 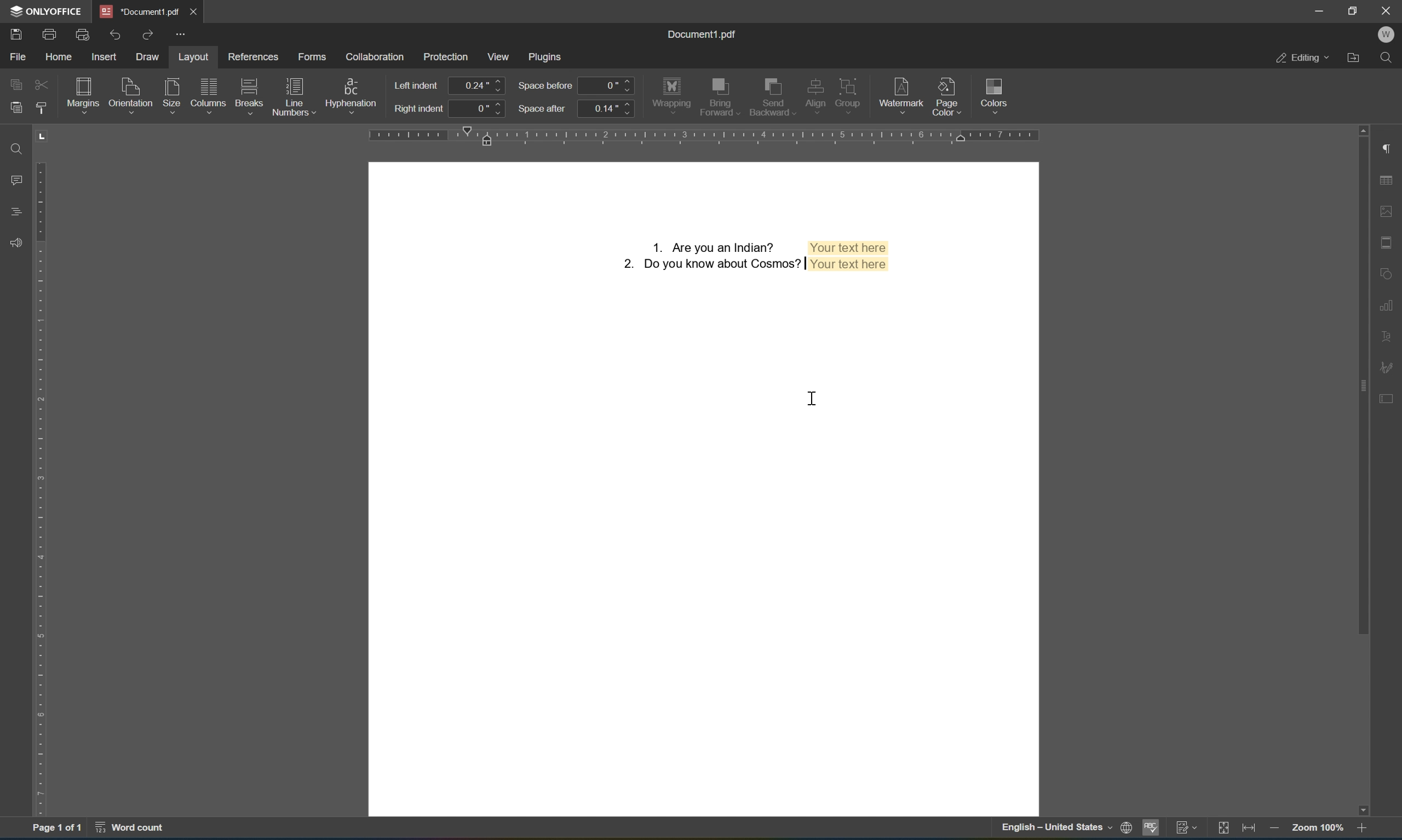 What do you see at coordinates (1389, 243) in the screenshot?
I see `header & footer settings` at bounding box center [1389, 243].